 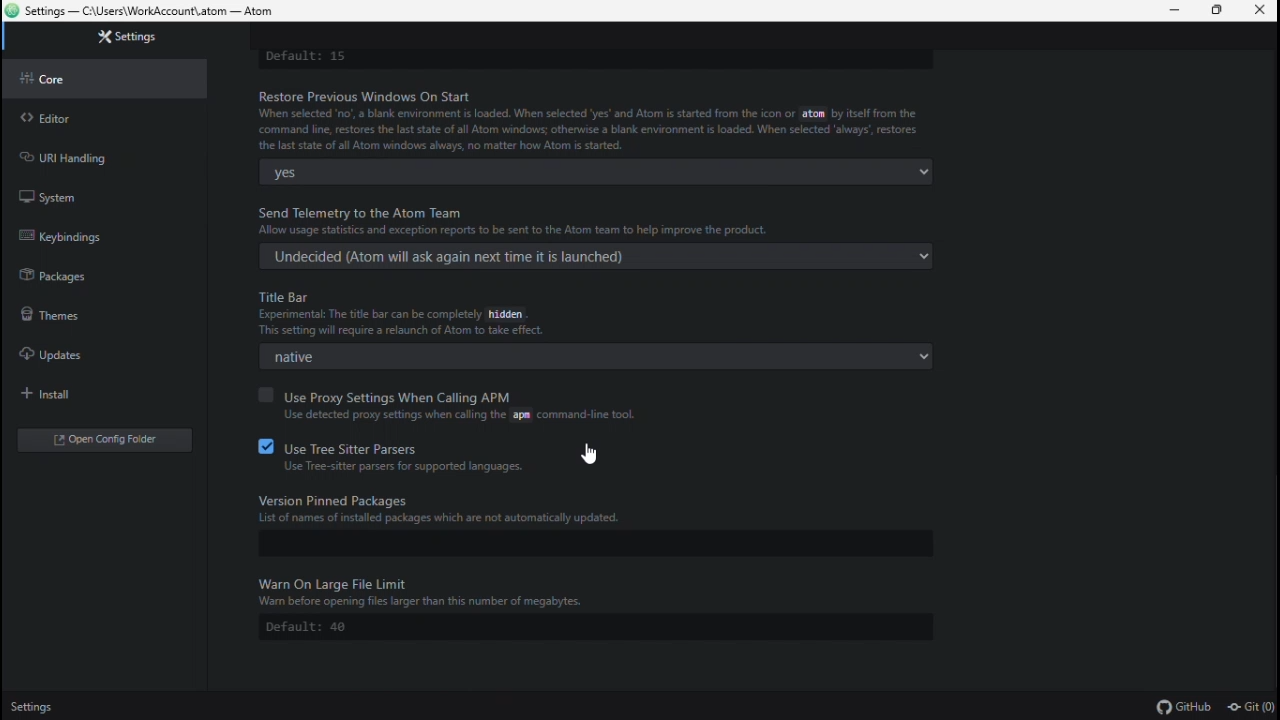 I want to click on URL handling, so click(x=88, y=156).